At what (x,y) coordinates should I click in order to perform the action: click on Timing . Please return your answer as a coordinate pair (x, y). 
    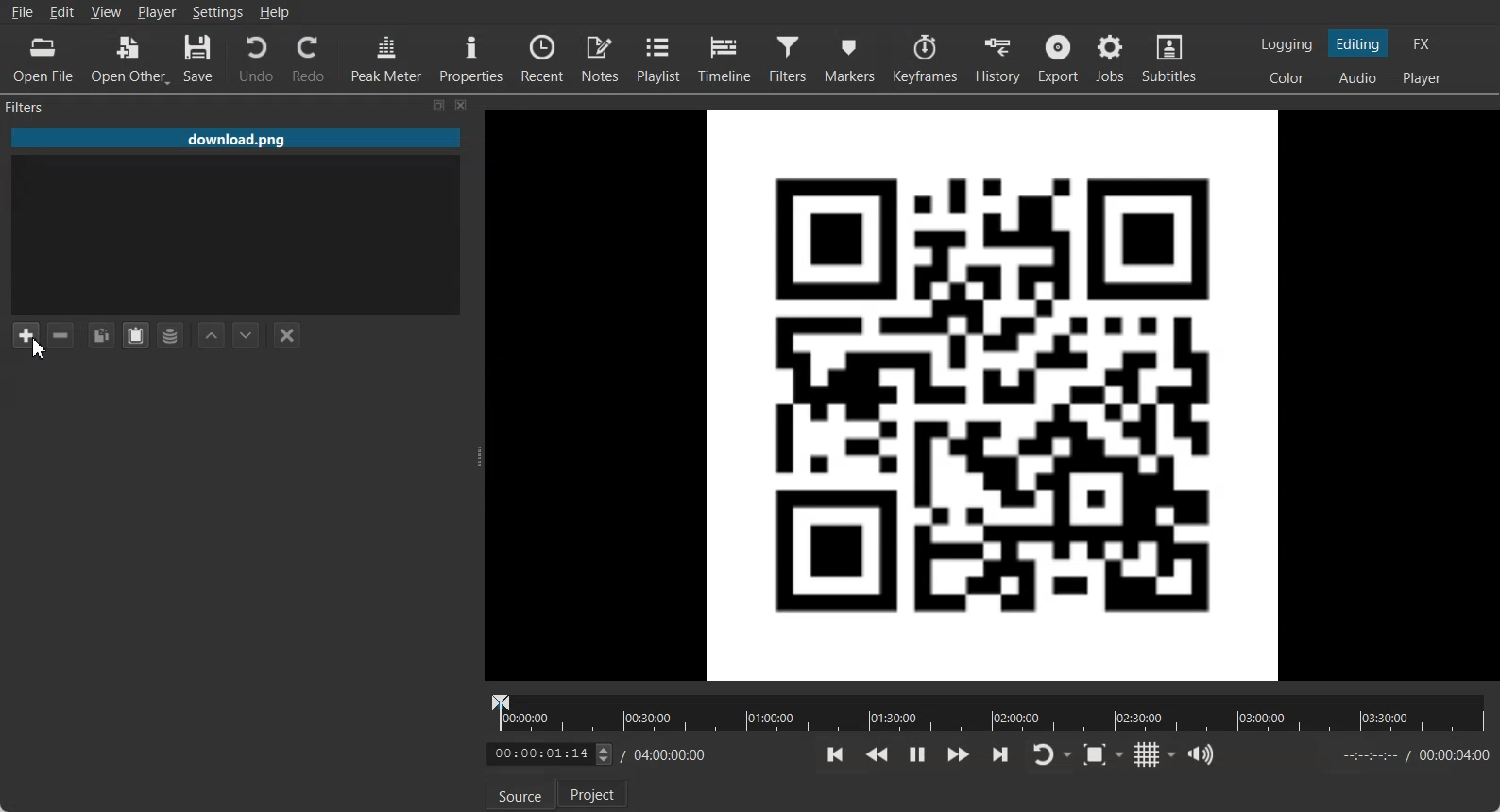
    Looking at the image, I should click on (665, 754).